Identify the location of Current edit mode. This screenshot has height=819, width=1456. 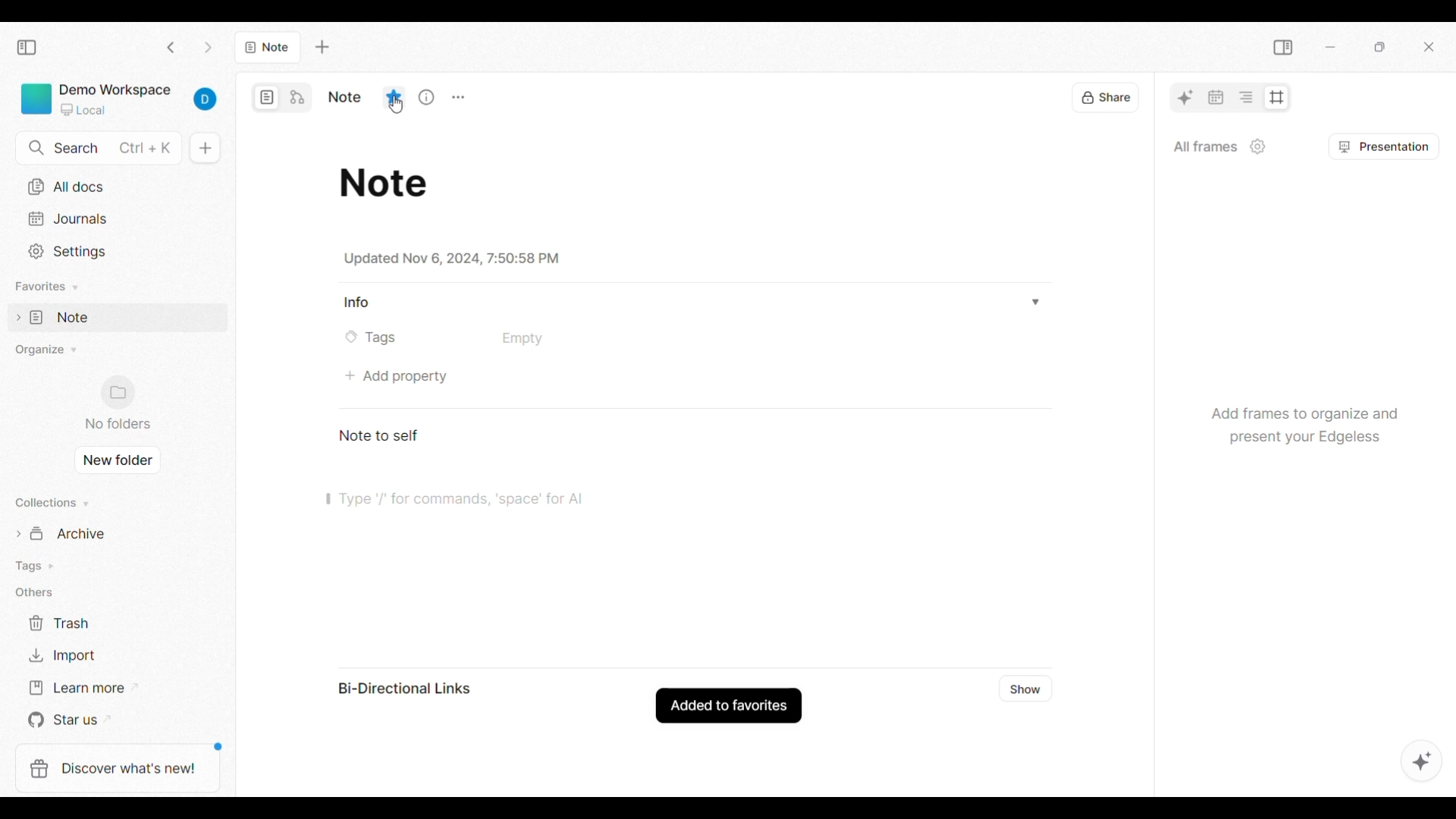
(268, 98).